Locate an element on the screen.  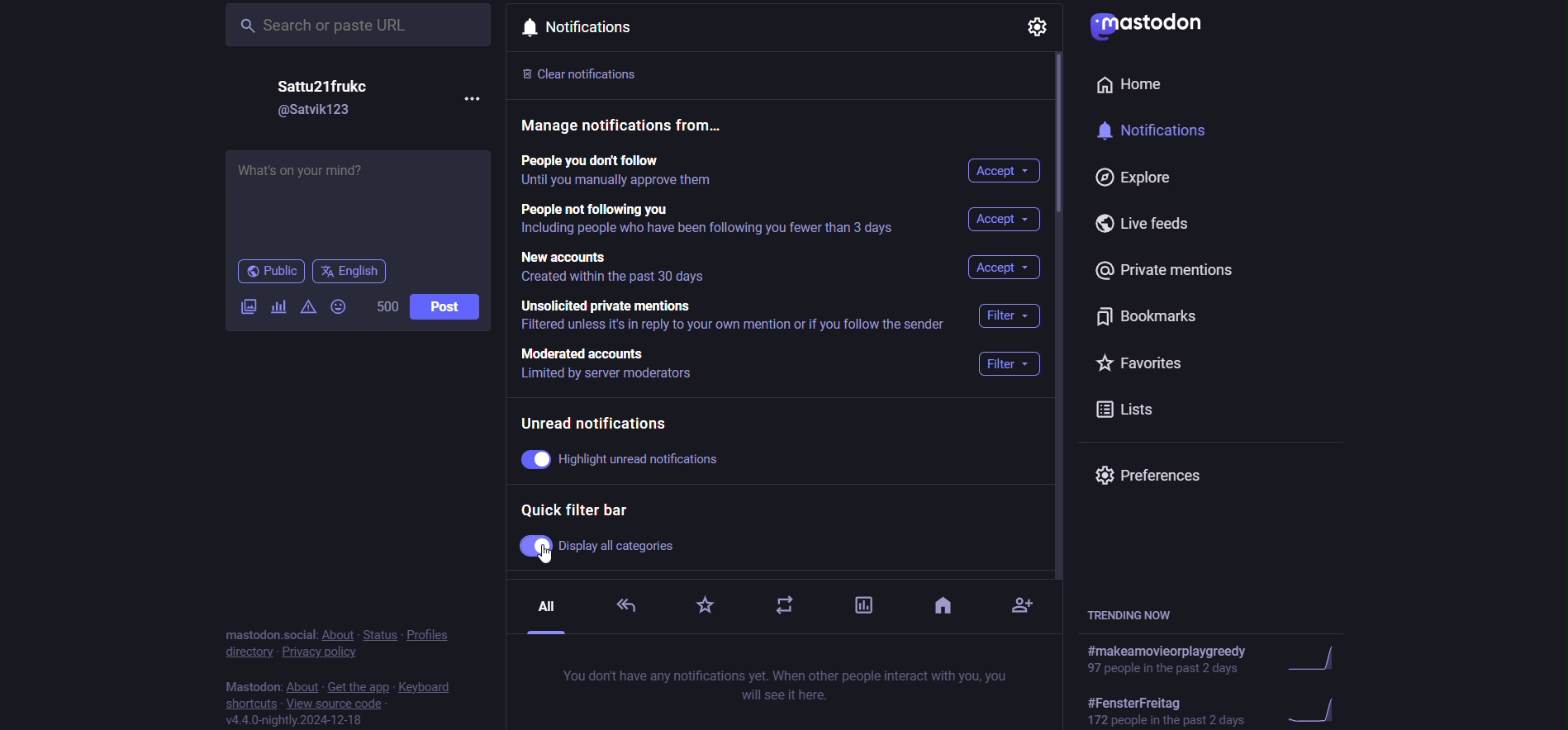
notification is located at coordinates (1162, 130).